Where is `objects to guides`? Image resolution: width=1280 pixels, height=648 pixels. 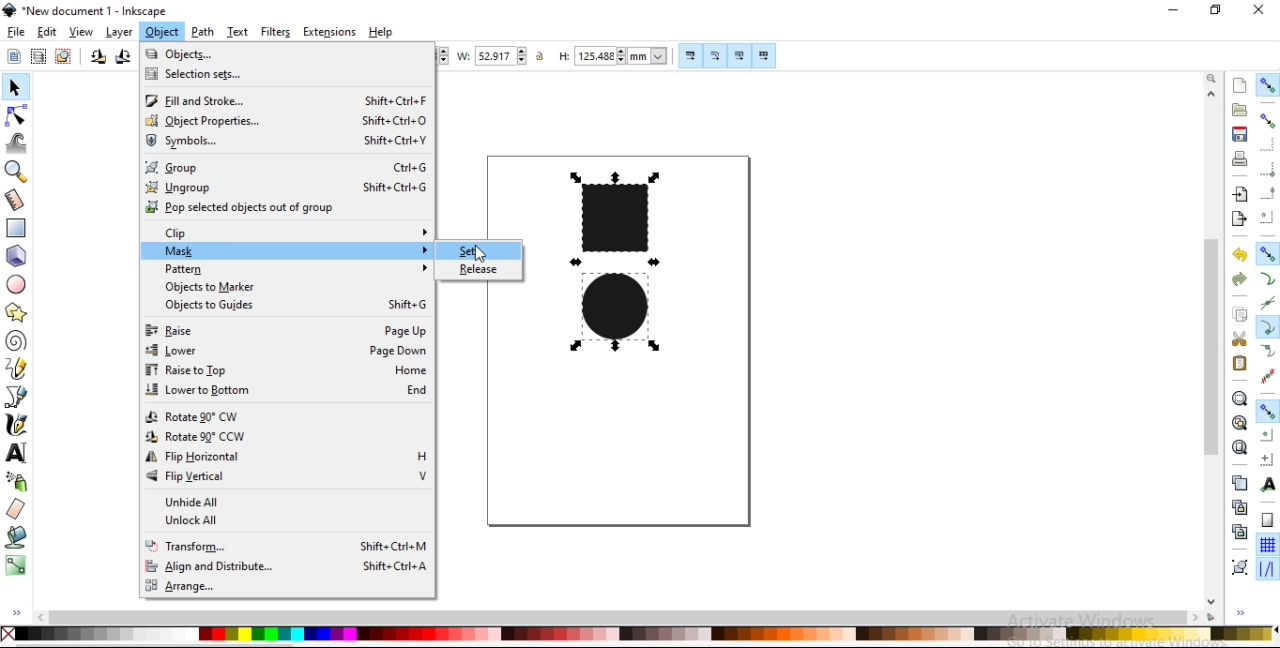 objects to guides is located at coordinates (295, 305).